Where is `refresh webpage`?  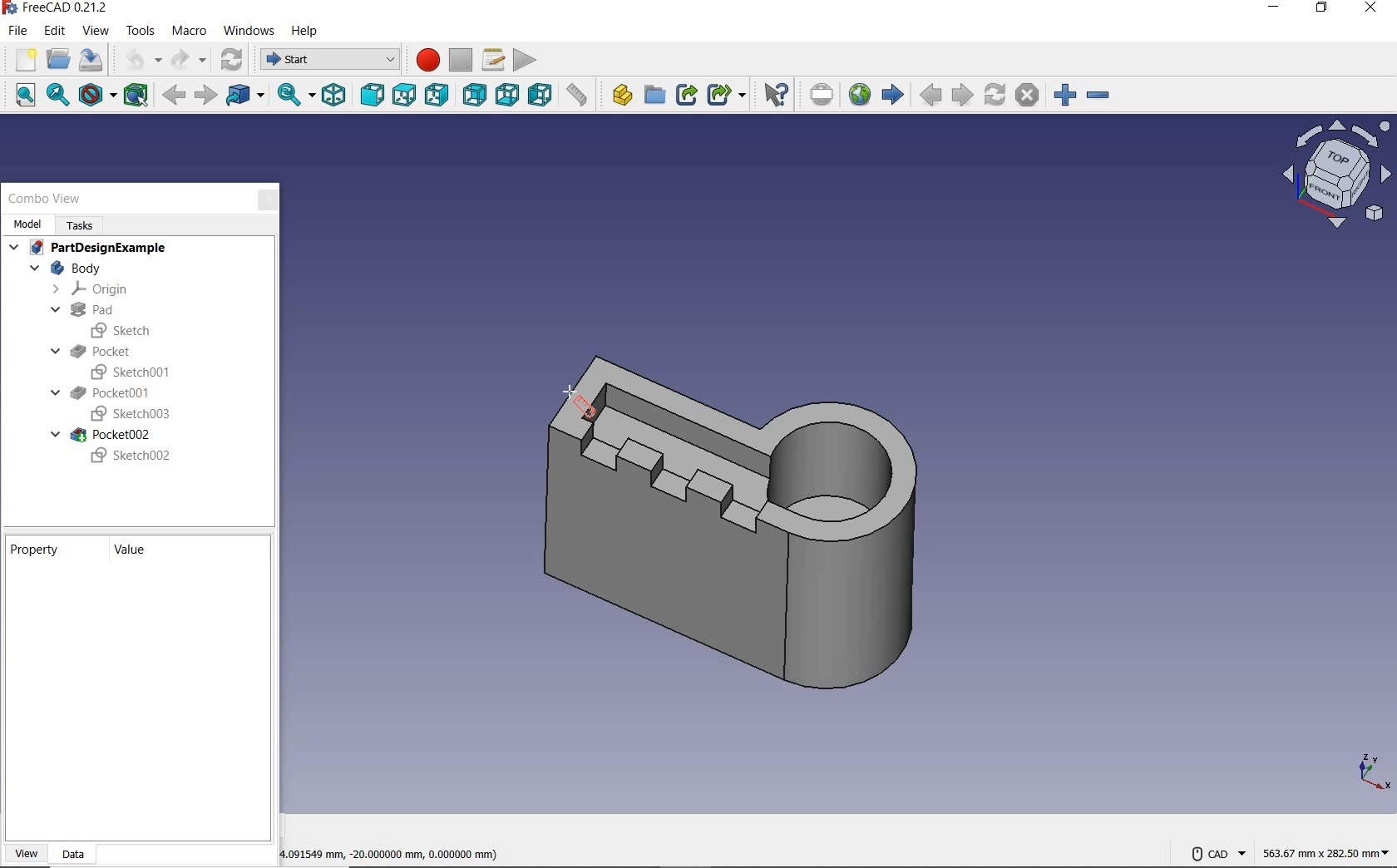
refresh webpage is located at coordinates (994, 94).